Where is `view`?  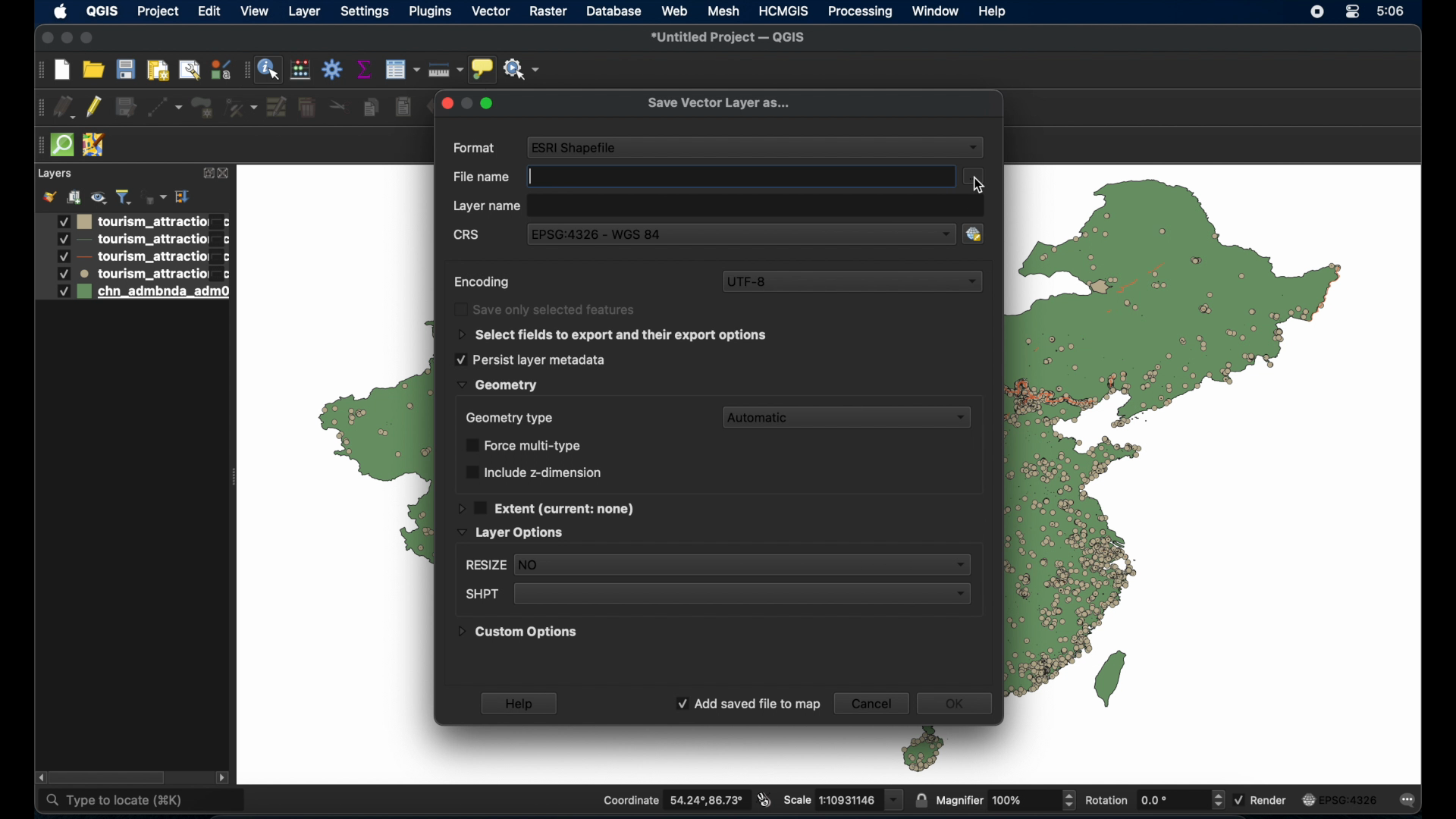
view is located at coordinates (256, 12).